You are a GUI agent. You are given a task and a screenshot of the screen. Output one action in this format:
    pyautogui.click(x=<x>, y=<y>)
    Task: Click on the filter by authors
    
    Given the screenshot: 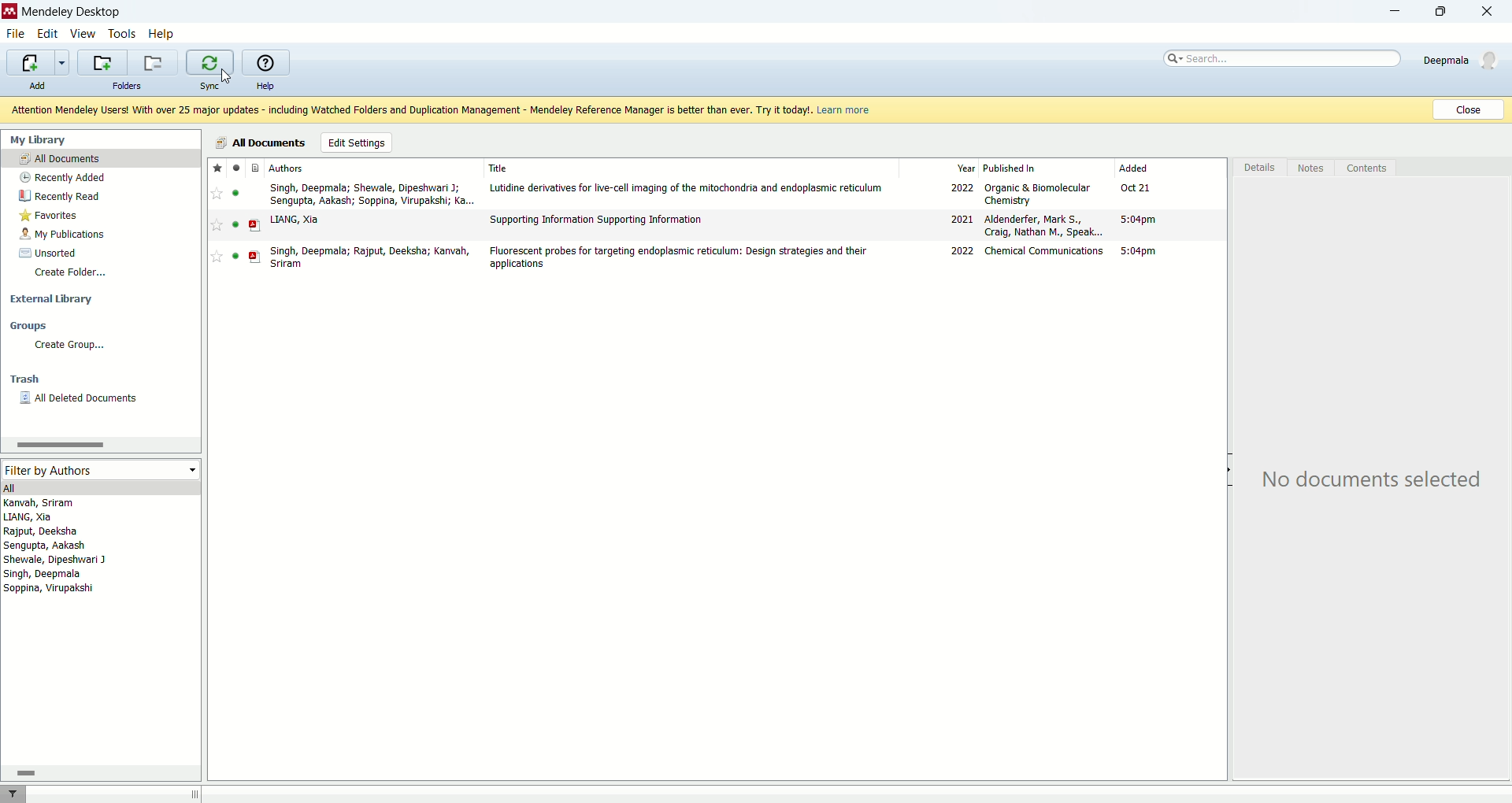 What is the action you would take?
    pyautogui.click(x=102, y=470)
    